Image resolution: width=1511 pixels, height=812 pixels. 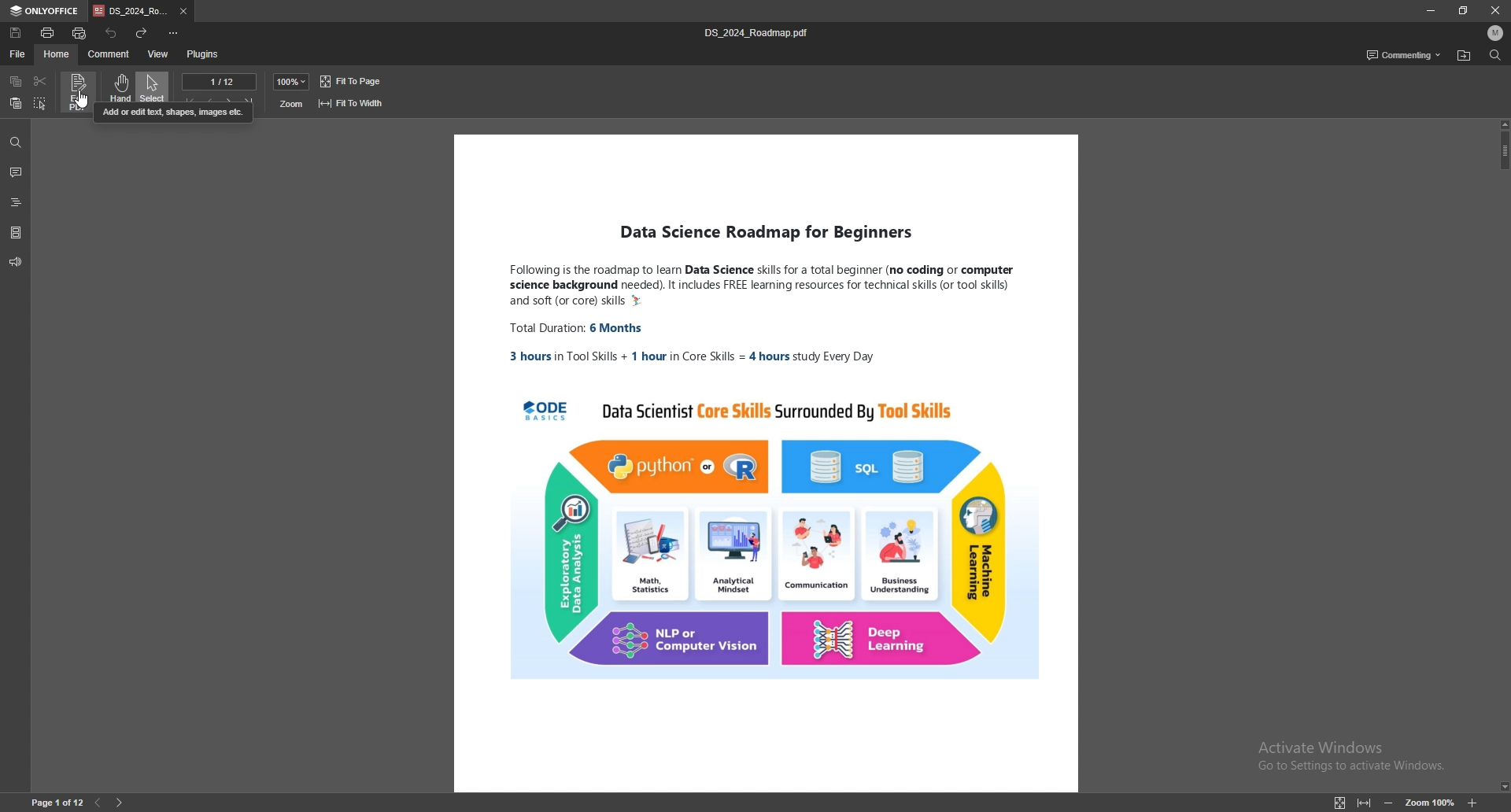 What do you see at coordinates (17, 200) in the screenshot?
I see `headings` at bounding box center [17, 200].